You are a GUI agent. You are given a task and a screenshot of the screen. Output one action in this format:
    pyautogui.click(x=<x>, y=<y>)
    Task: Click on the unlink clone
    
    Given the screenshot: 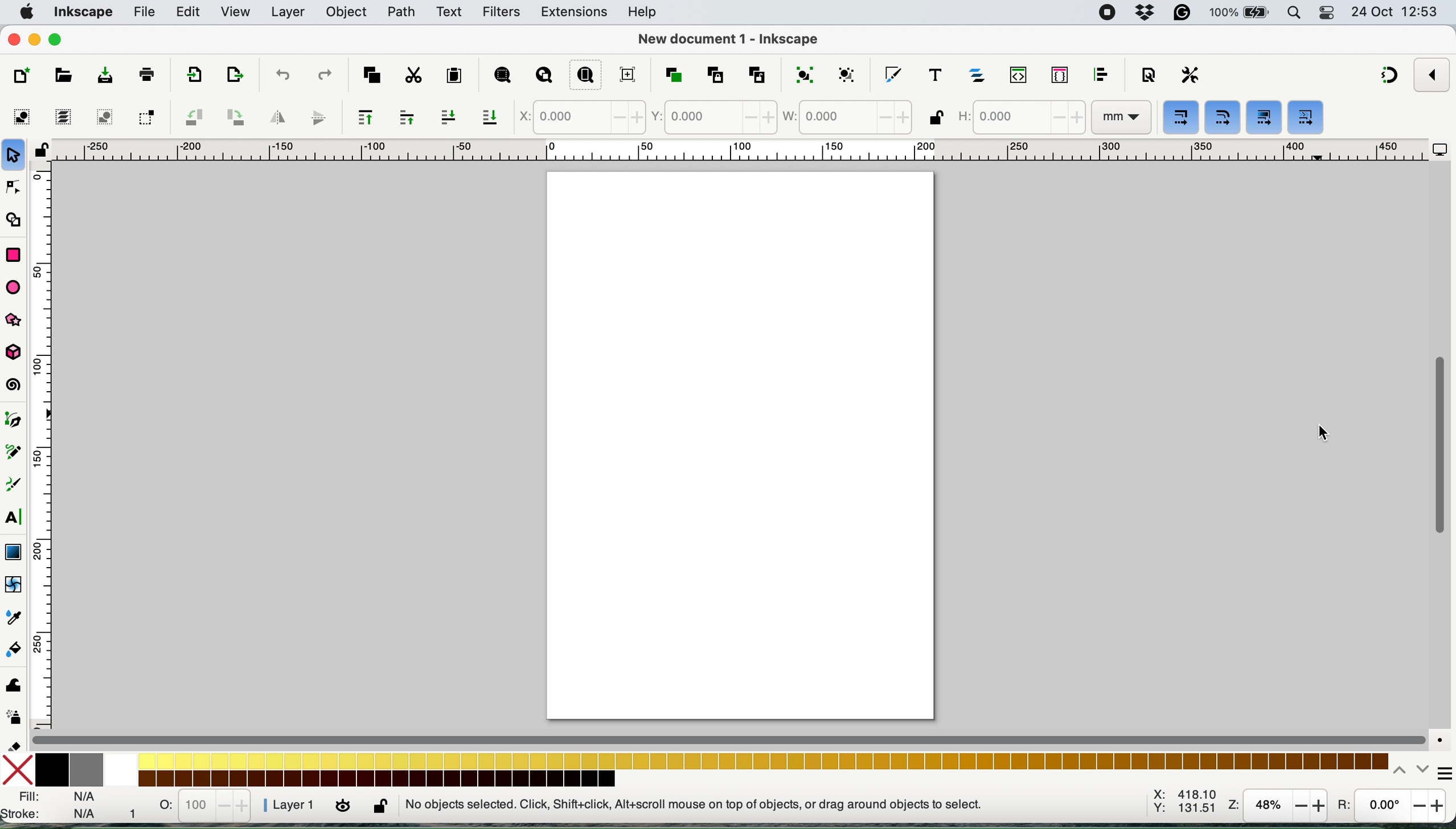 What is the action you would take?
    pyautogui.click(x=756, y=74)
    